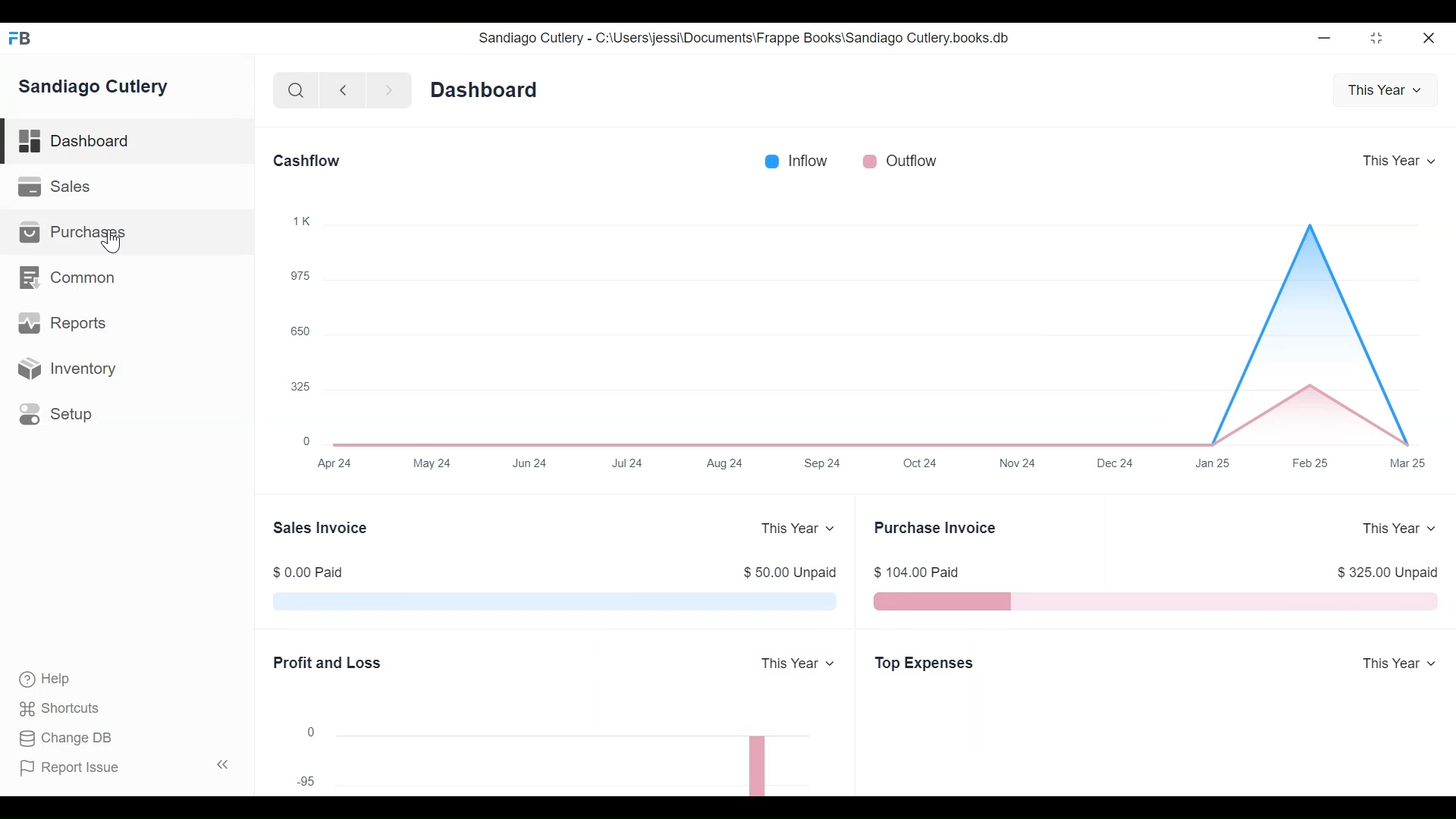 This screenshot has height=819, width=1456. What do you see at coordinates (1393, 160) in the screenshot?
I see `This Year ` at bounding box center [1393, 160].